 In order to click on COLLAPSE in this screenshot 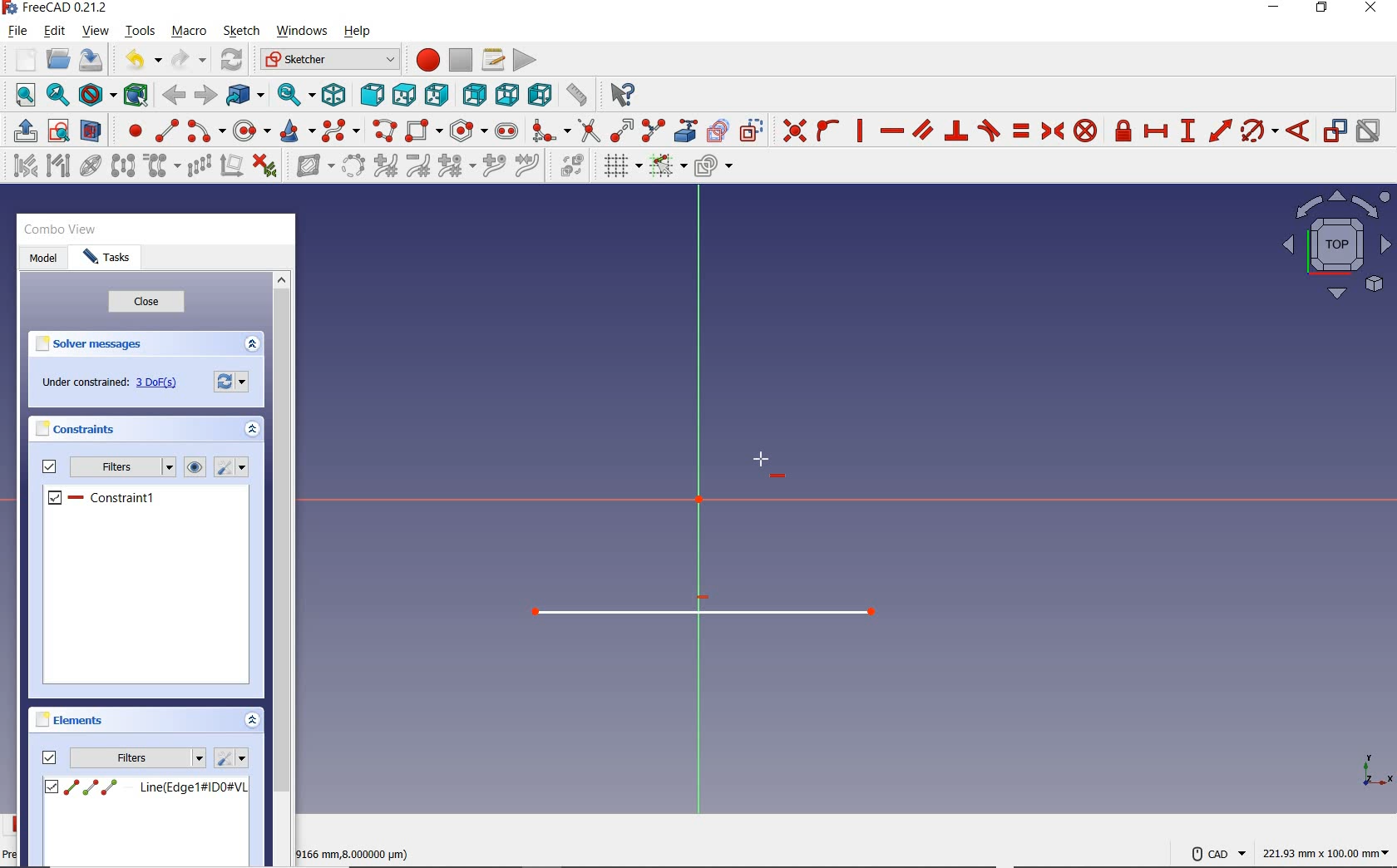, I will do `click(252, 722)`.